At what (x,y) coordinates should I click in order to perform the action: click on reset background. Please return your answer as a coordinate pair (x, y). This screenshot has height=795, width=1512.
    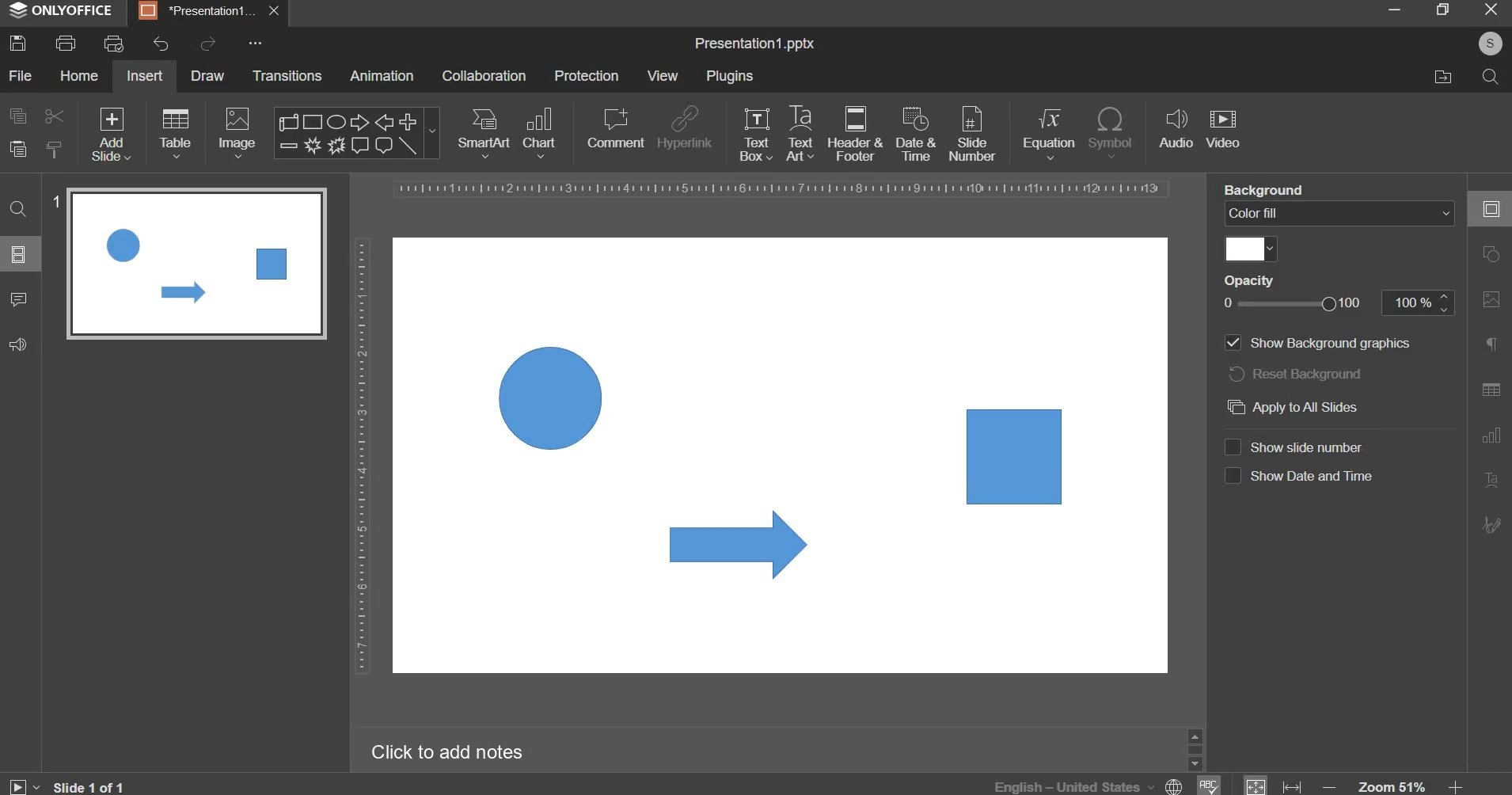
    Looking at the image, I should click on (1296, 373).